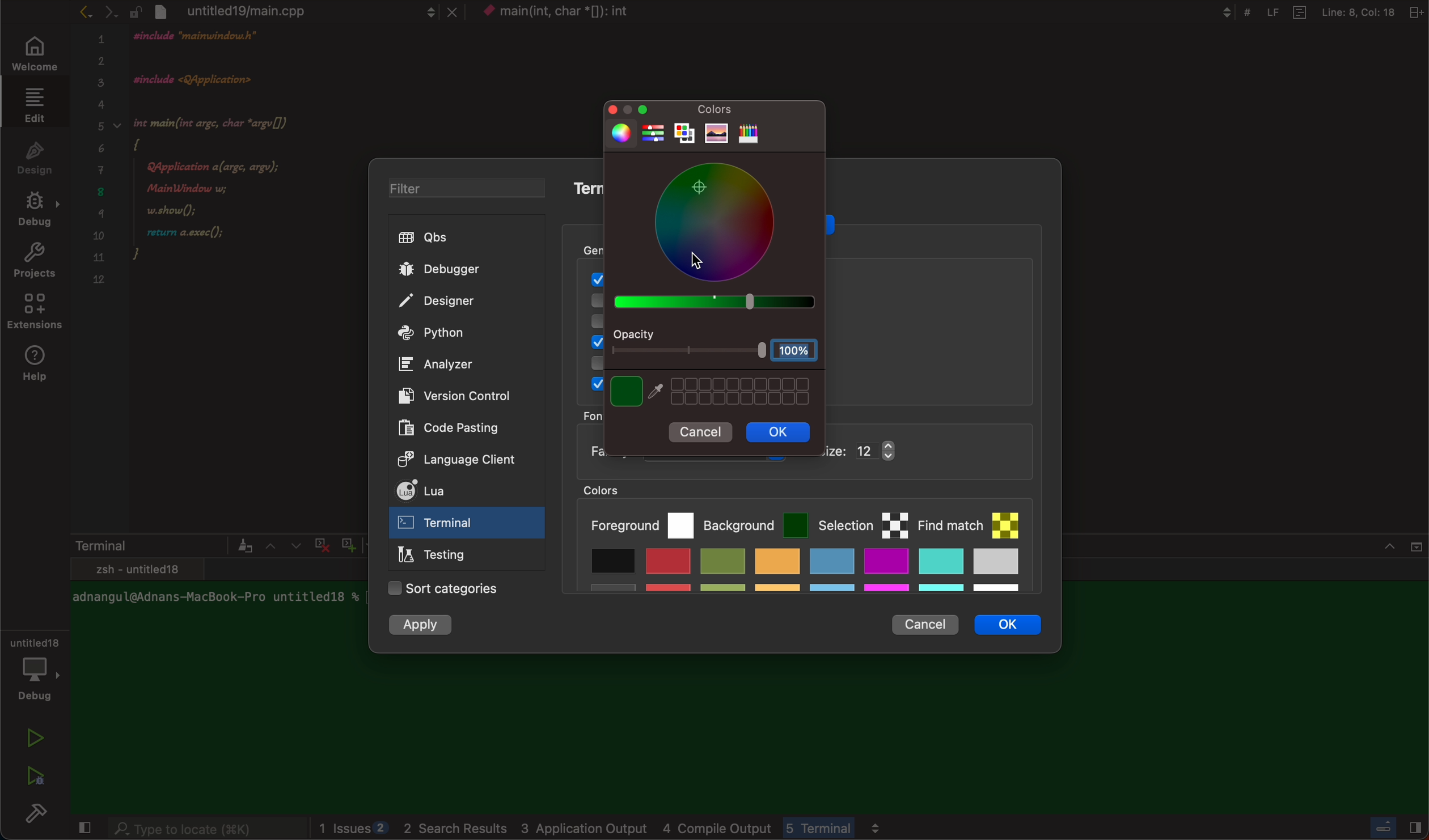 The width and height of the screenshot is (1429, 840). I want to click on build, so click(40, 816).